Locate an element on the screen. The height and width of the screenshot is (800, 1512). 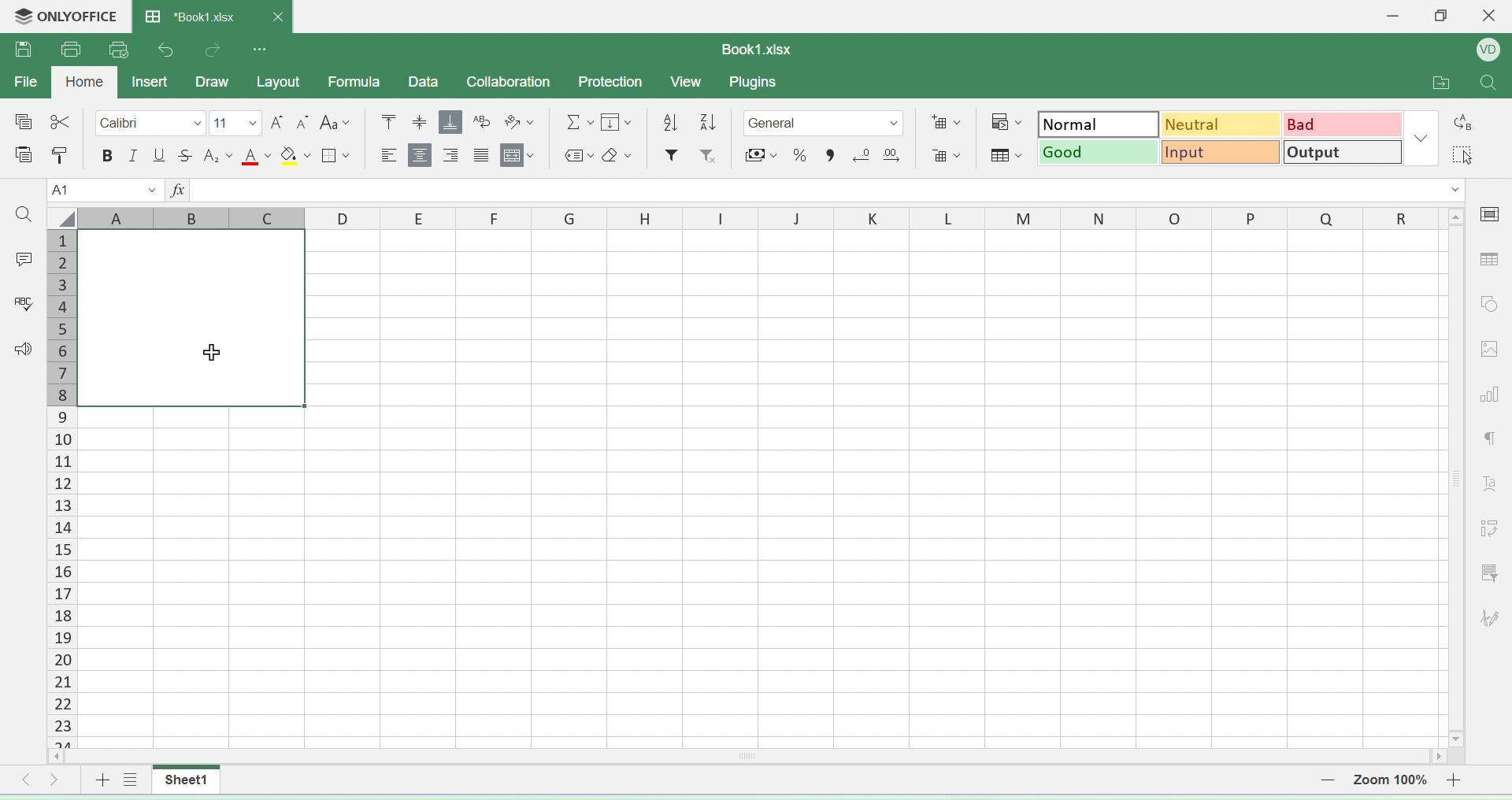
italics is located at coordinates (134, 156).